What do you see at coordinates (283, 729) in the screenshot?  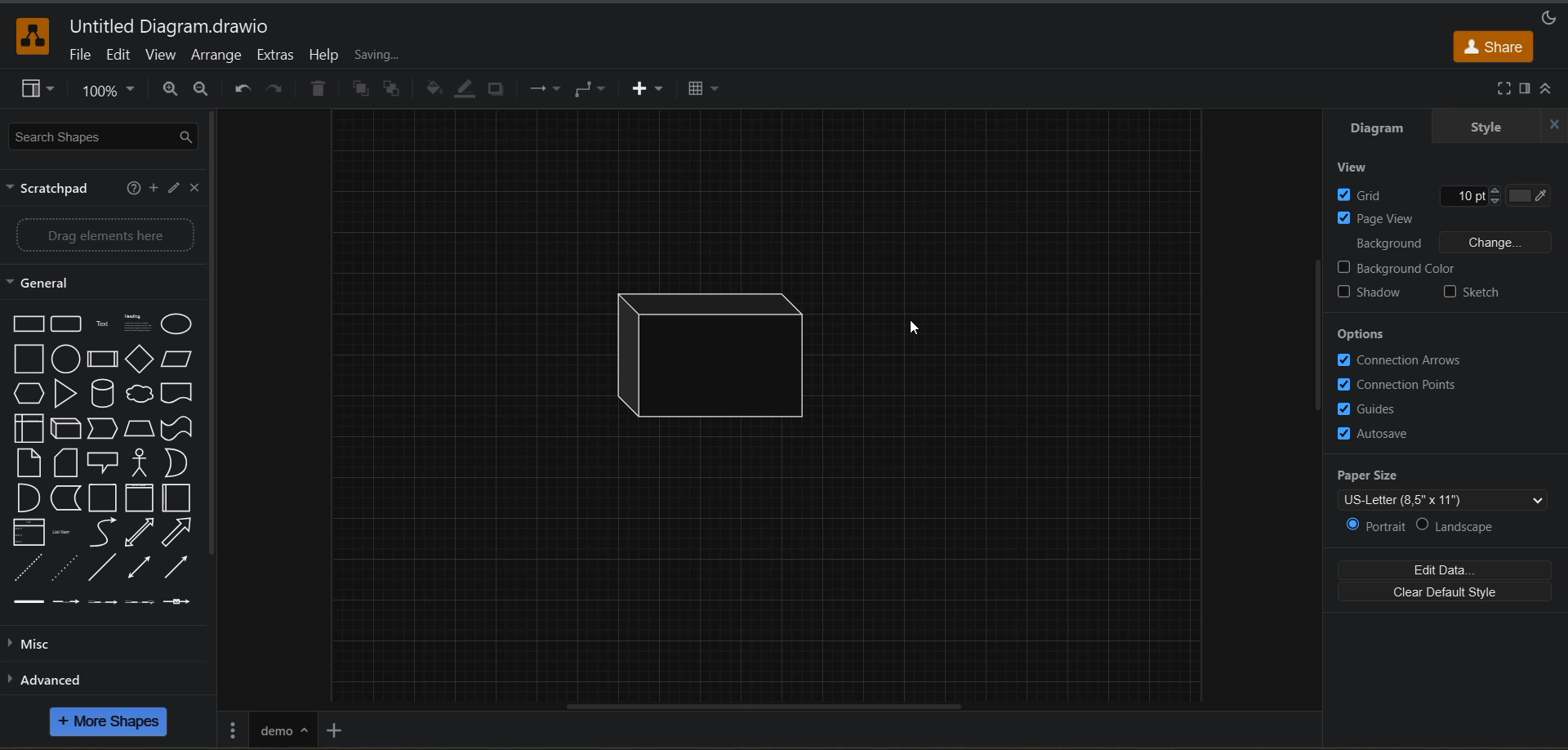 I see `renamed page` at bounding box center [283, 729].